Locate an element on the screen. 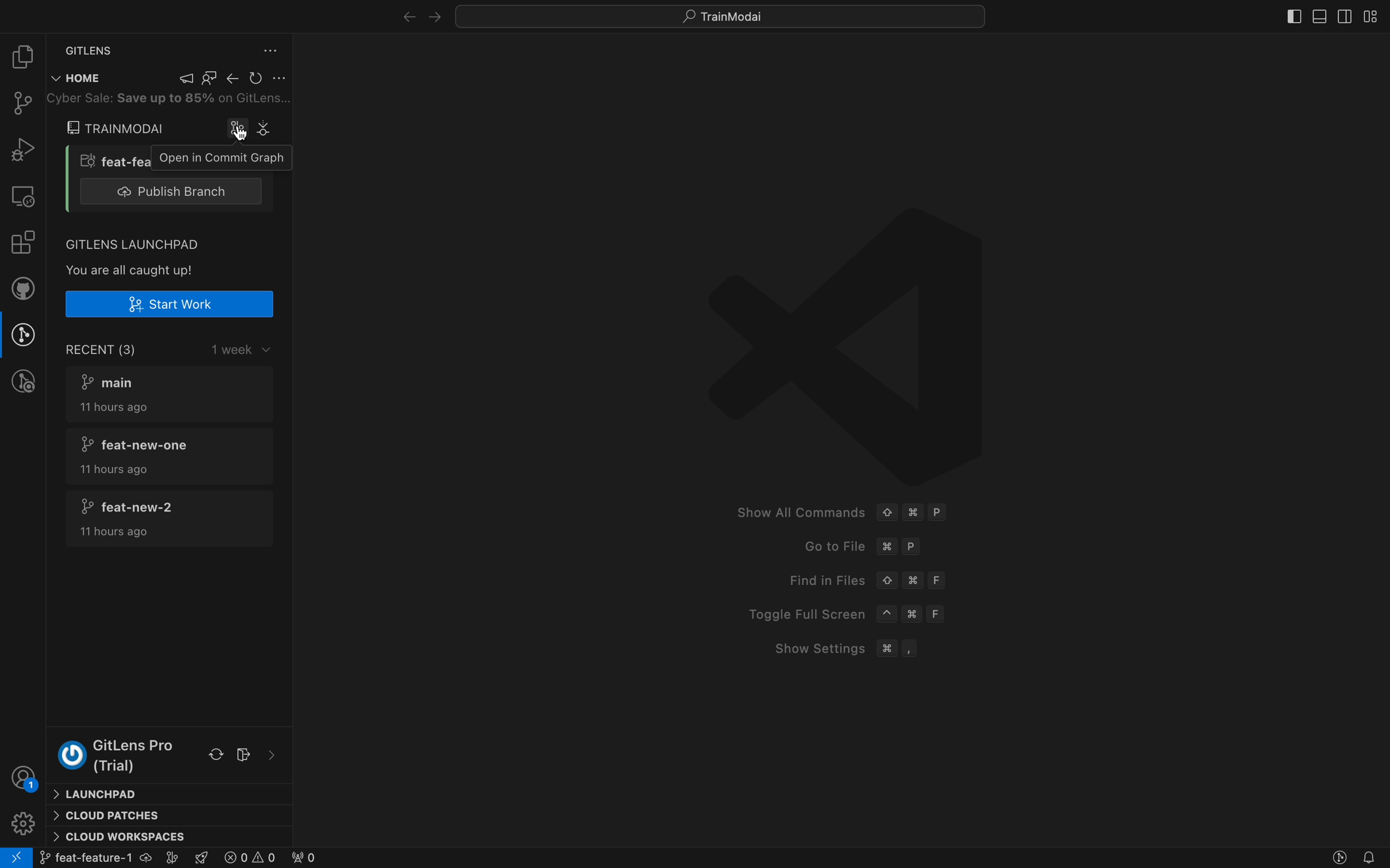 The image size is (1390, 868). branch list is located at coordinates (169, 455).